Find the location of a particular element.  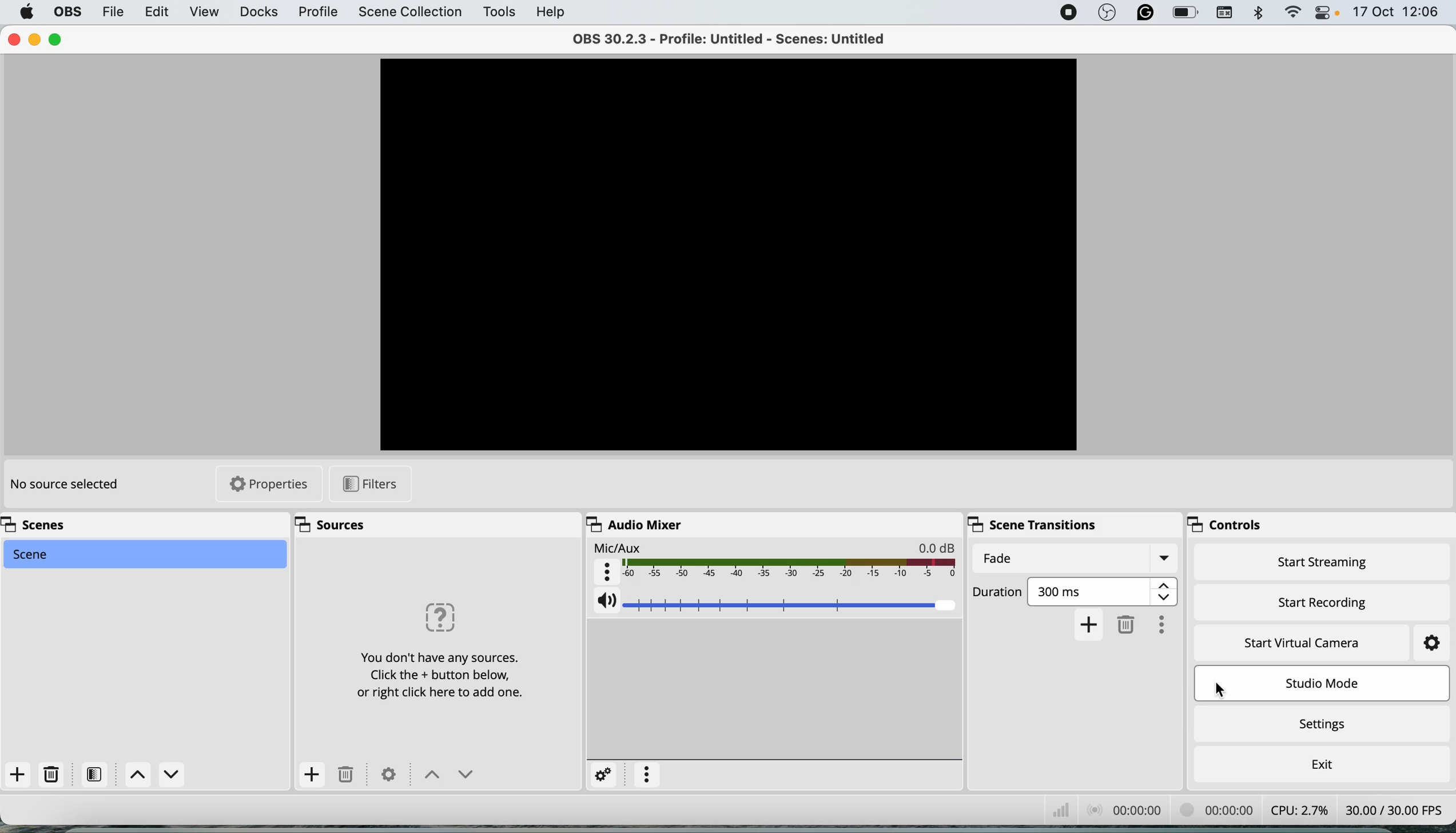

frames per second is located at coordinates (1397, 808).